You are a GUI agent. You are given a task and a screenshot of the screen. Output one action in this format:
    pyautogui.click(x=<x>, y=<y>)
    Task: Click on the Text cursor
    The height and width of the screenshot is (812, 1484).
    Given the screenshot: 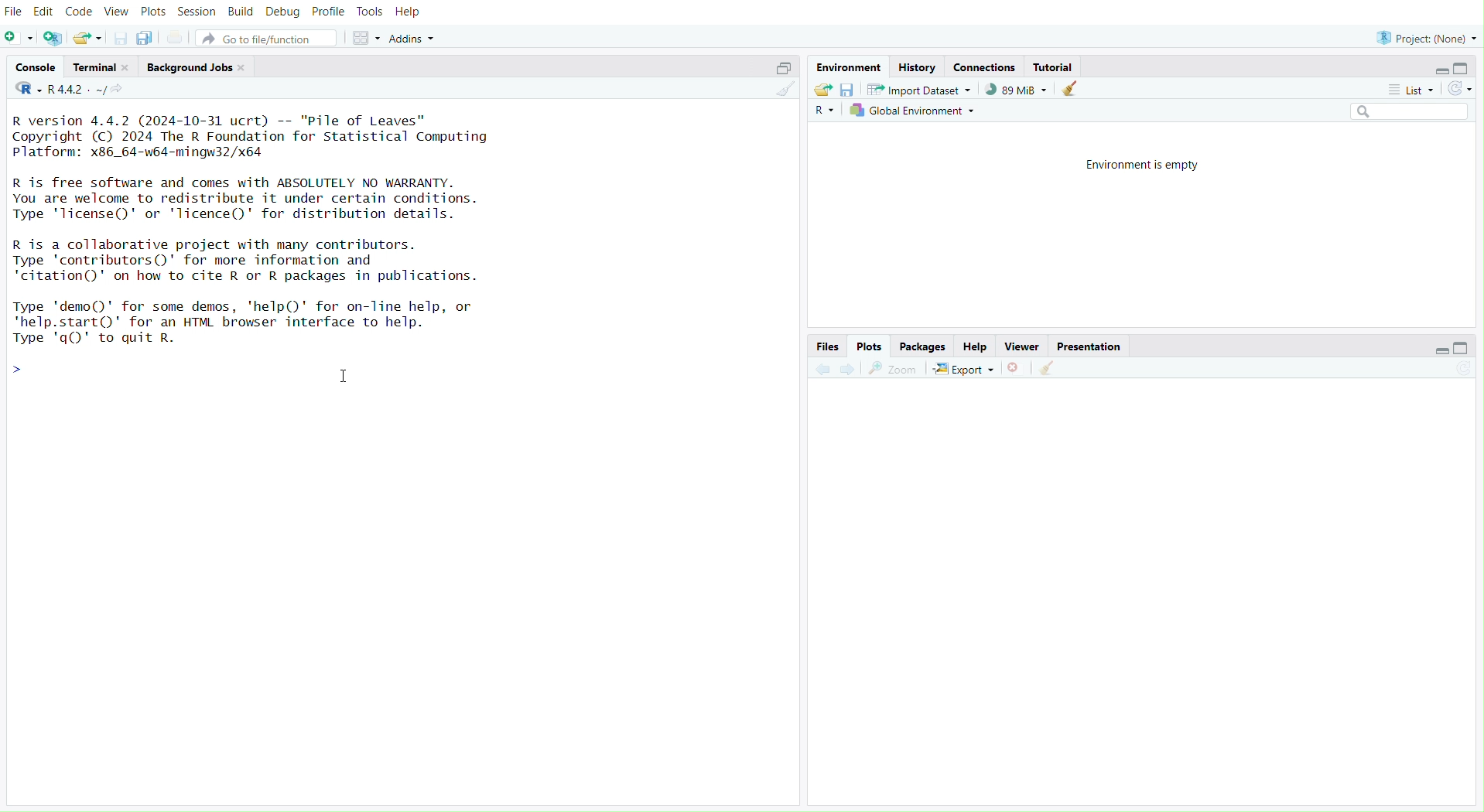 What is the action you would take?
    pyautogui.click(x=356, y=382)
    